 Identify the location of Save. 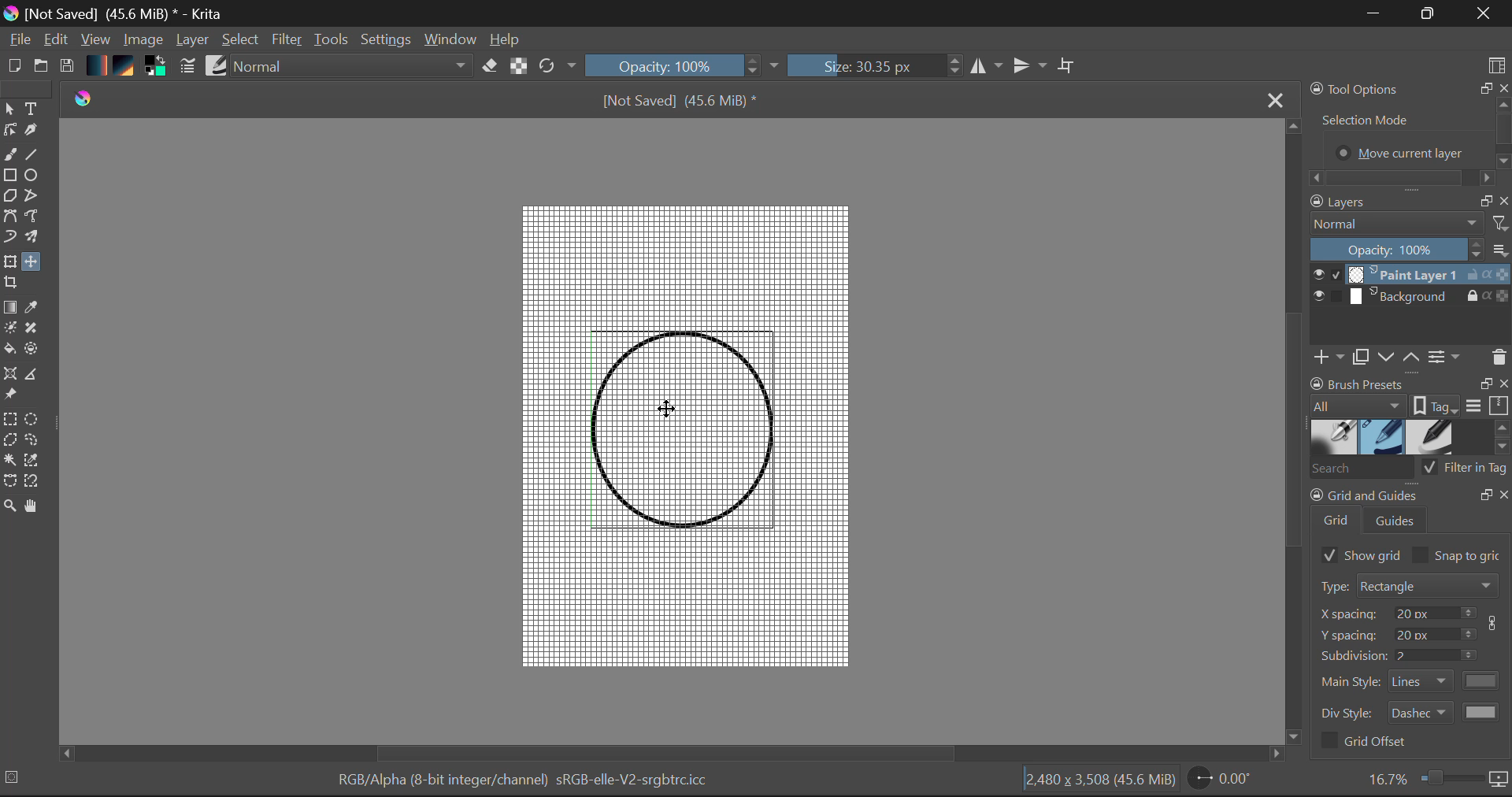
(68, 67).